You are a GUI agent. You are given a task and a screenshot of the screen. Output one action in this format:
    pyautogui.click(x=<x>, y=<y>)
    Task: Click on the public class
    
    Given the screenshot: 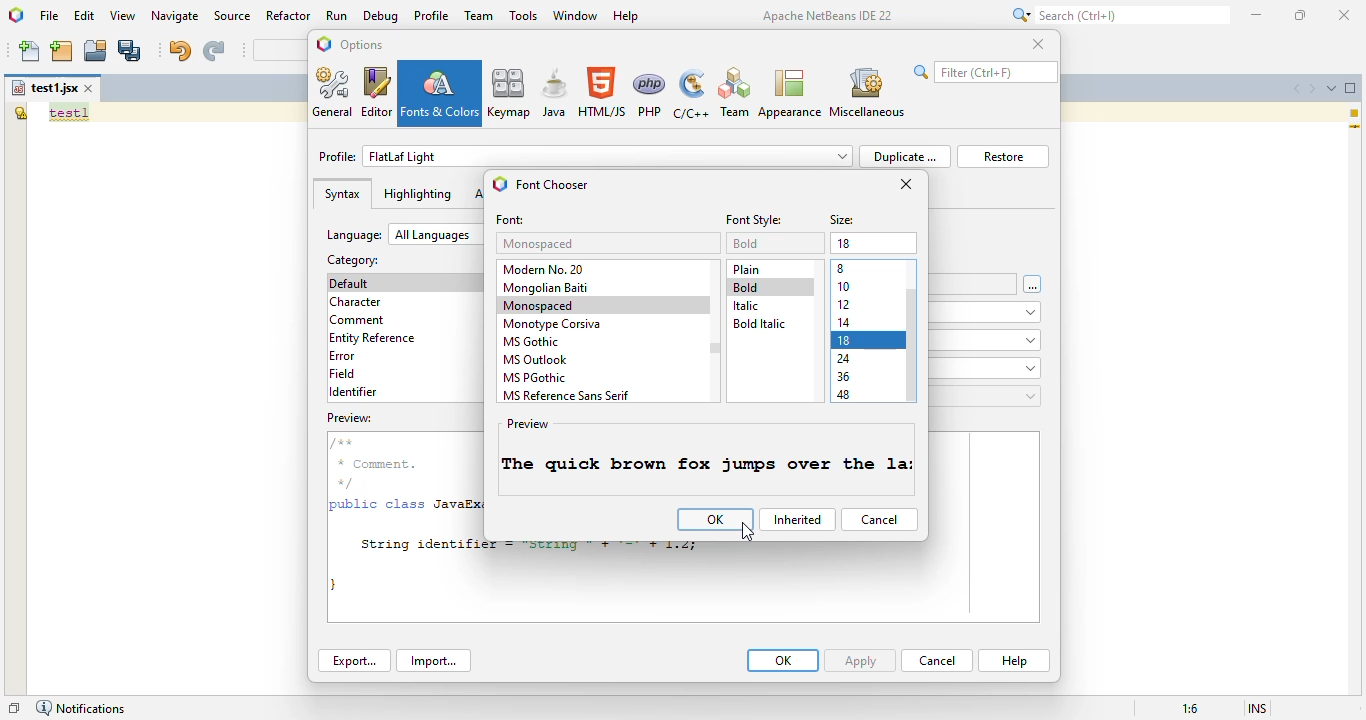 What is the action you would take?
    pyautogui.click(x=379, y=507)
    